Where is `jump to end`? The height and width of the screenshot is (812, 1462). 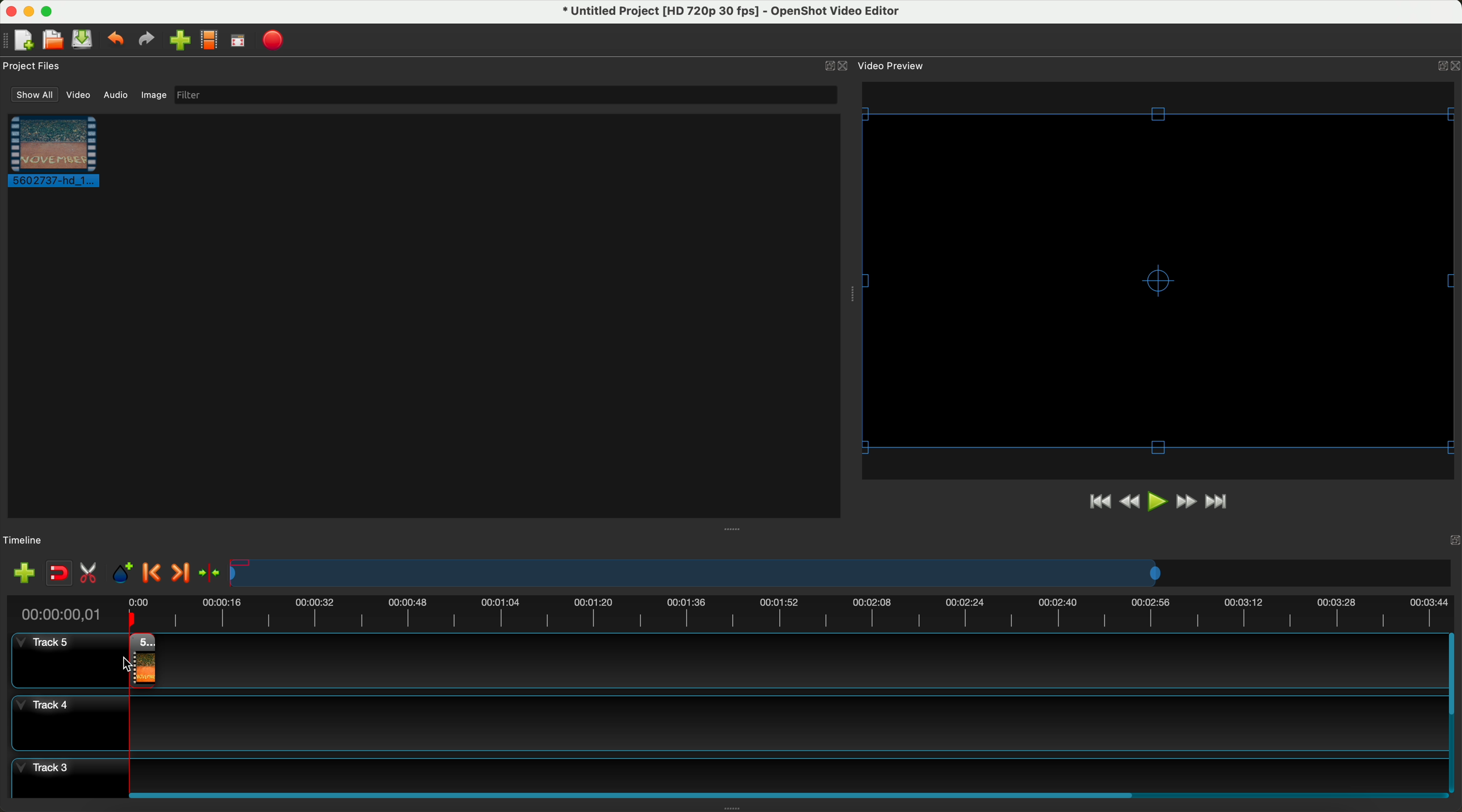
jump to end is located at coordinates (1224, 503).